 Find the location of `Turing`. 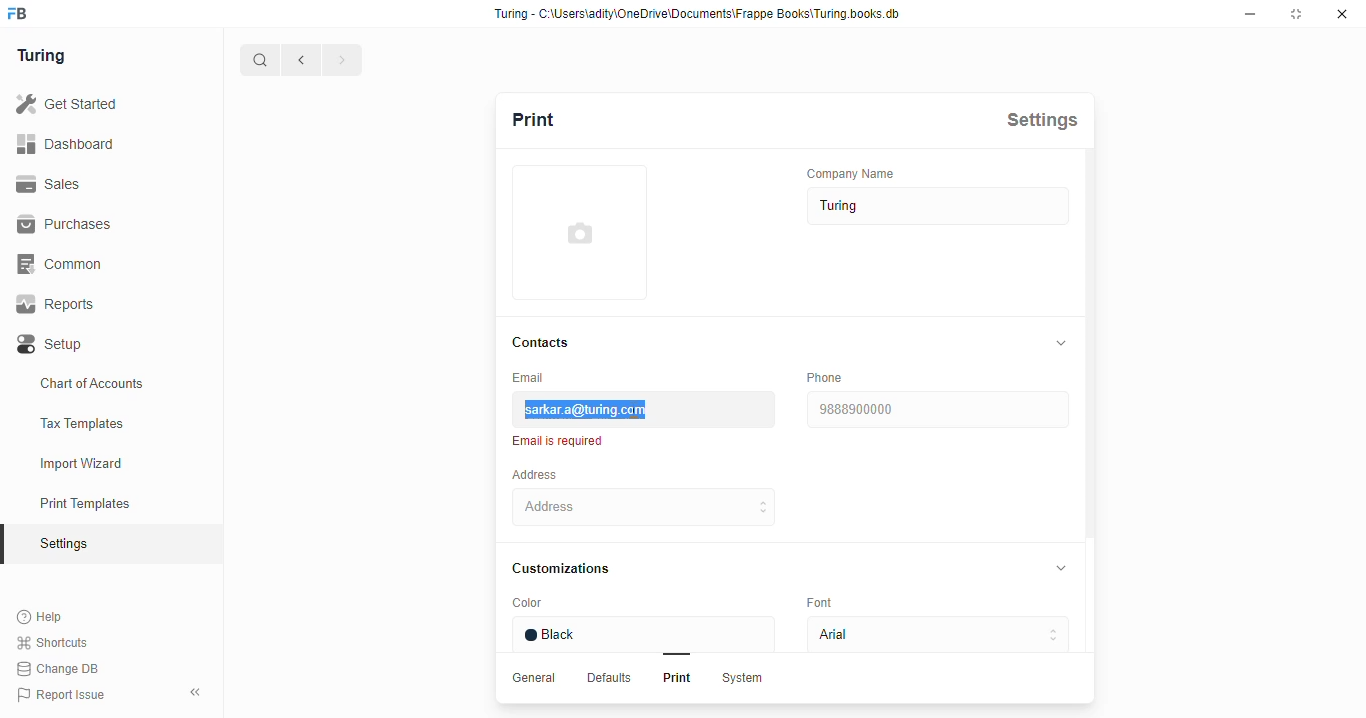

Turing is located at coordinates (933, 207).